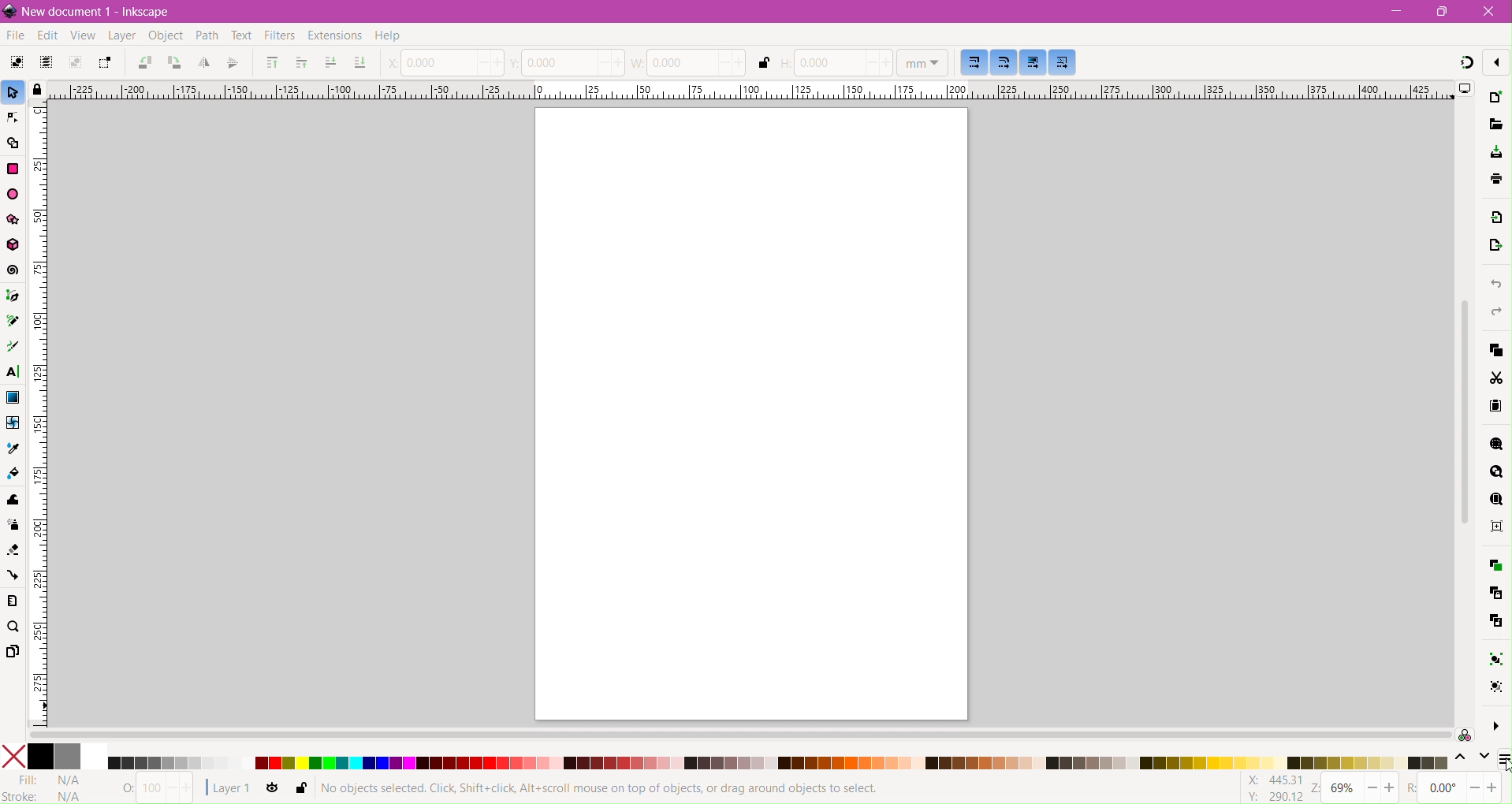  I want to click on Cursor Coordinates, so click(1272, 789).